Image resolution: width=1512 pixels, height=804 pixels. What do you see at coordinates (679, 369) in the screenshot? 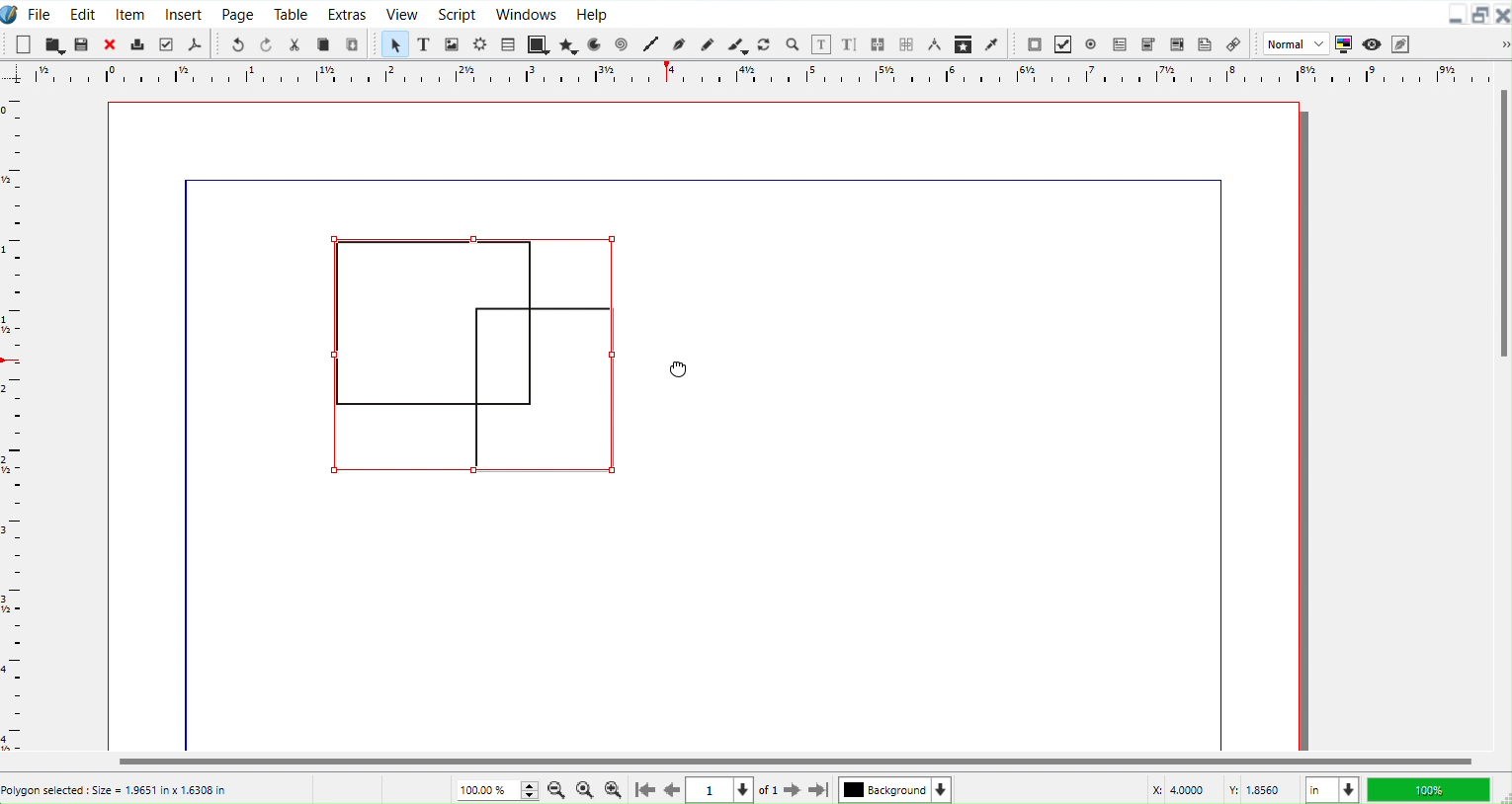
I see `Cursor` at bounding box center [679, 369].